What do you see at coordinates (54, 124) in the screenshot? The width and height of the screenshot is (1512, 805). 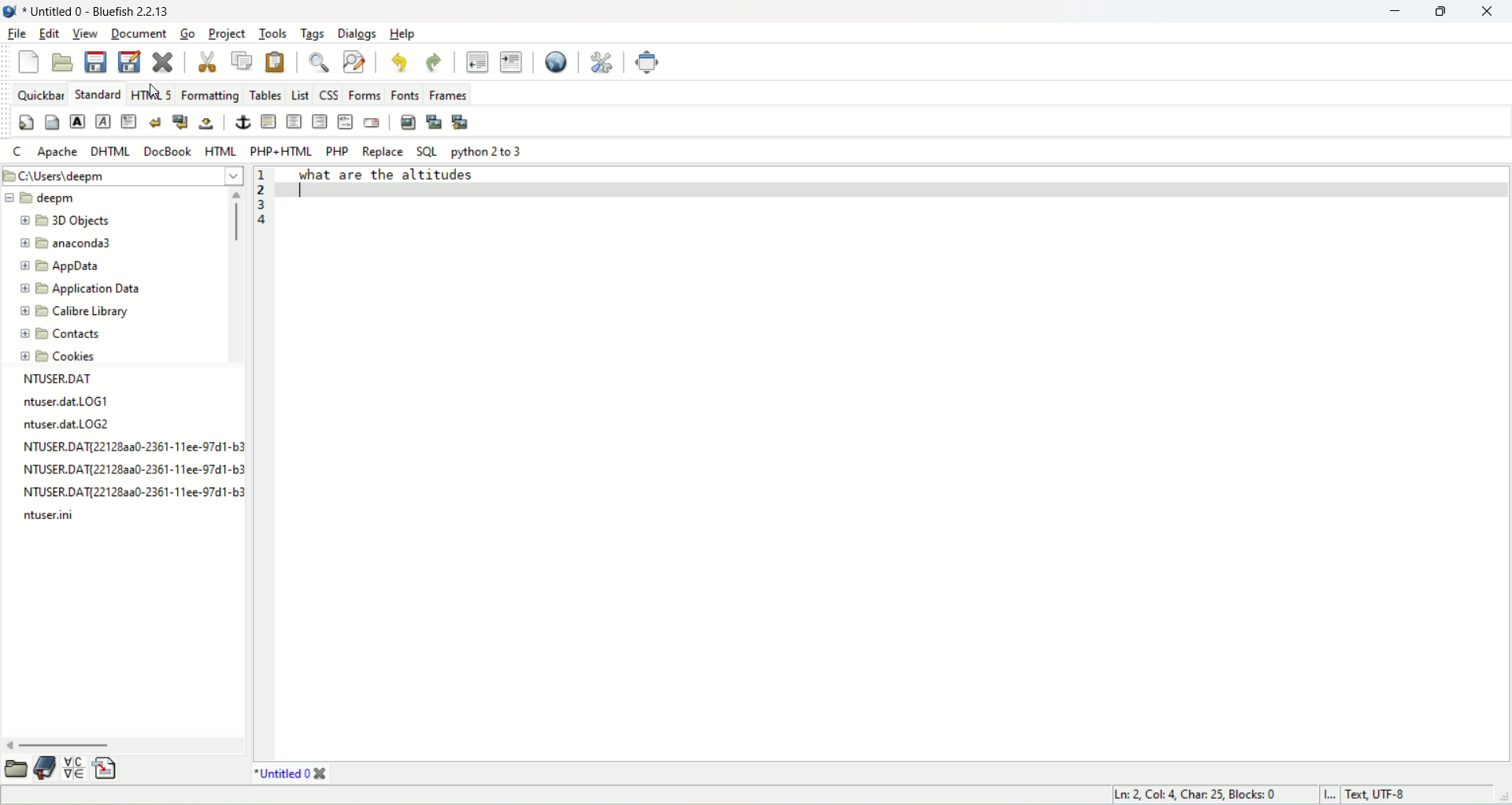 I see `body` at bounding box center [54, 124].